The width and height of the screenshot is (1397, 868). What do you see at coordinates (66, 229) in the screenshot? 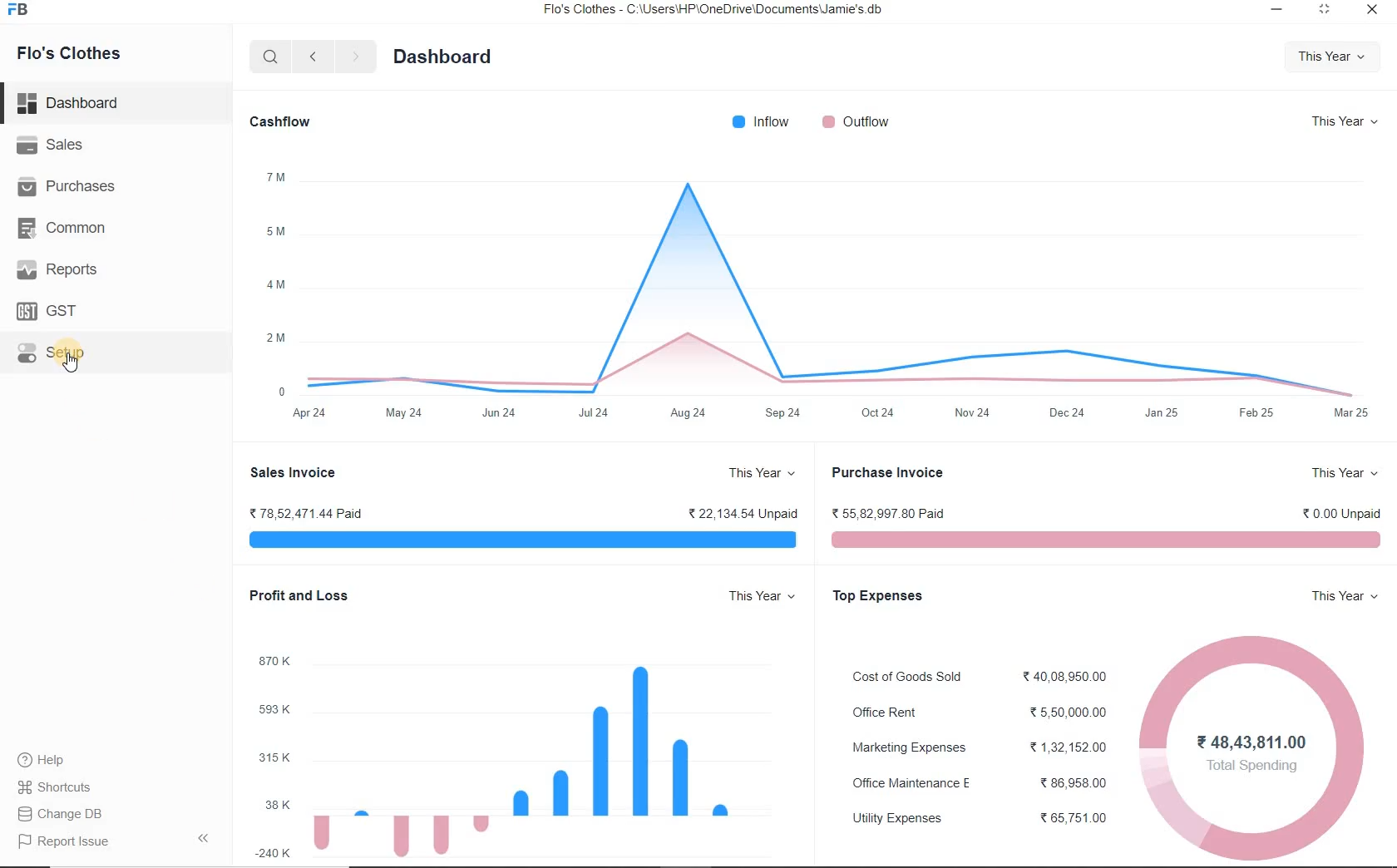
I see `Common` at bounding box center [66, 229].